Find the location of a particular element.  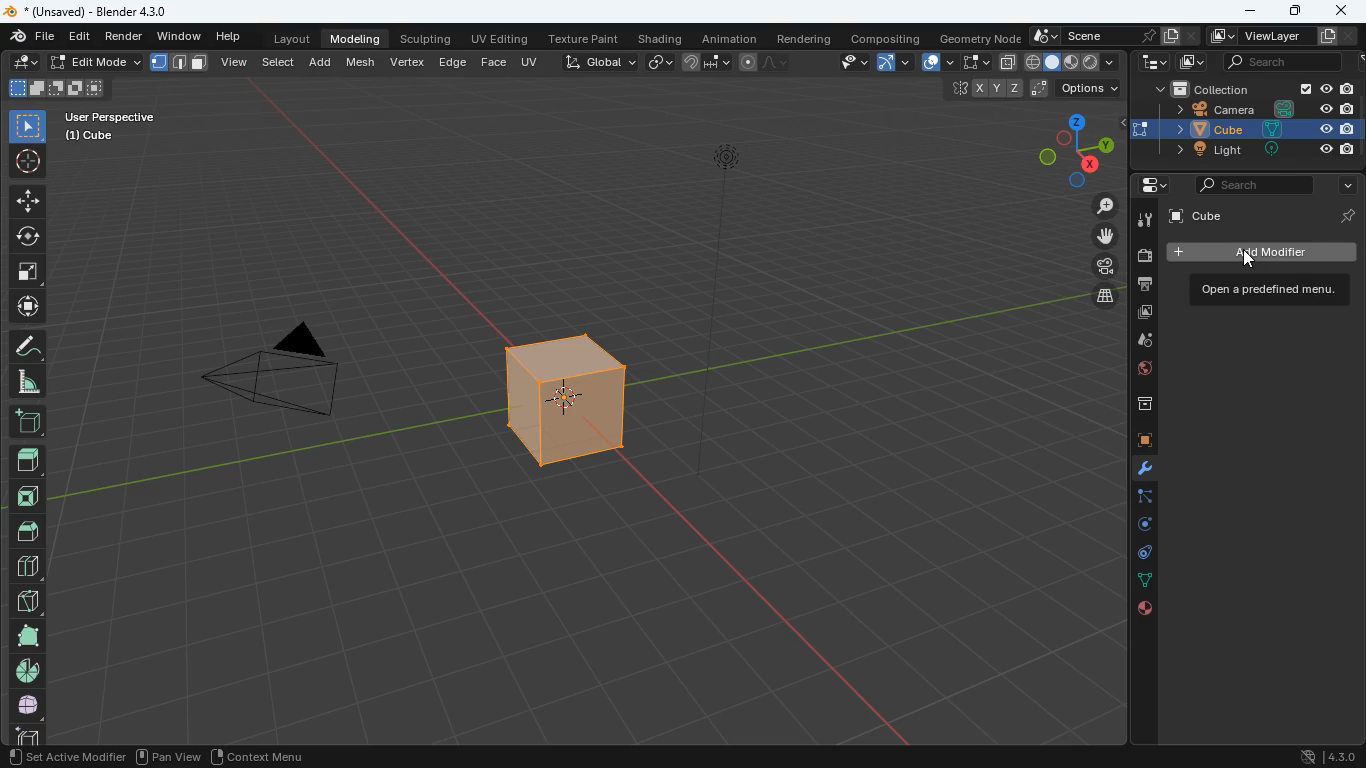

shapes is located at coordinates (55, 88).